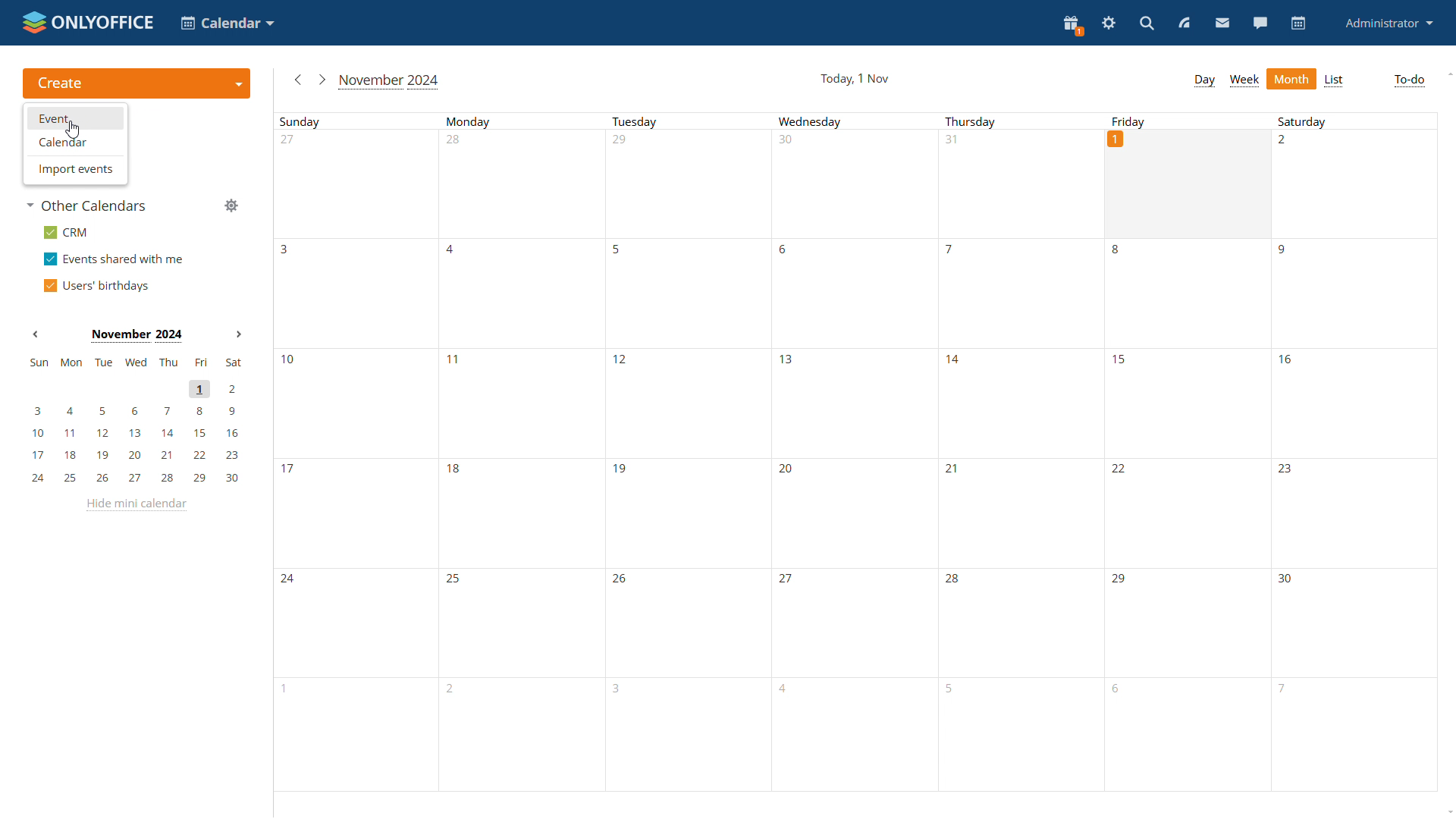 The width and height of the screenshot is (1456, 819). What do you see at coordinates (1447, 813) in the screenshot?
I see `scroll down` at bounding box center [1447, 813].